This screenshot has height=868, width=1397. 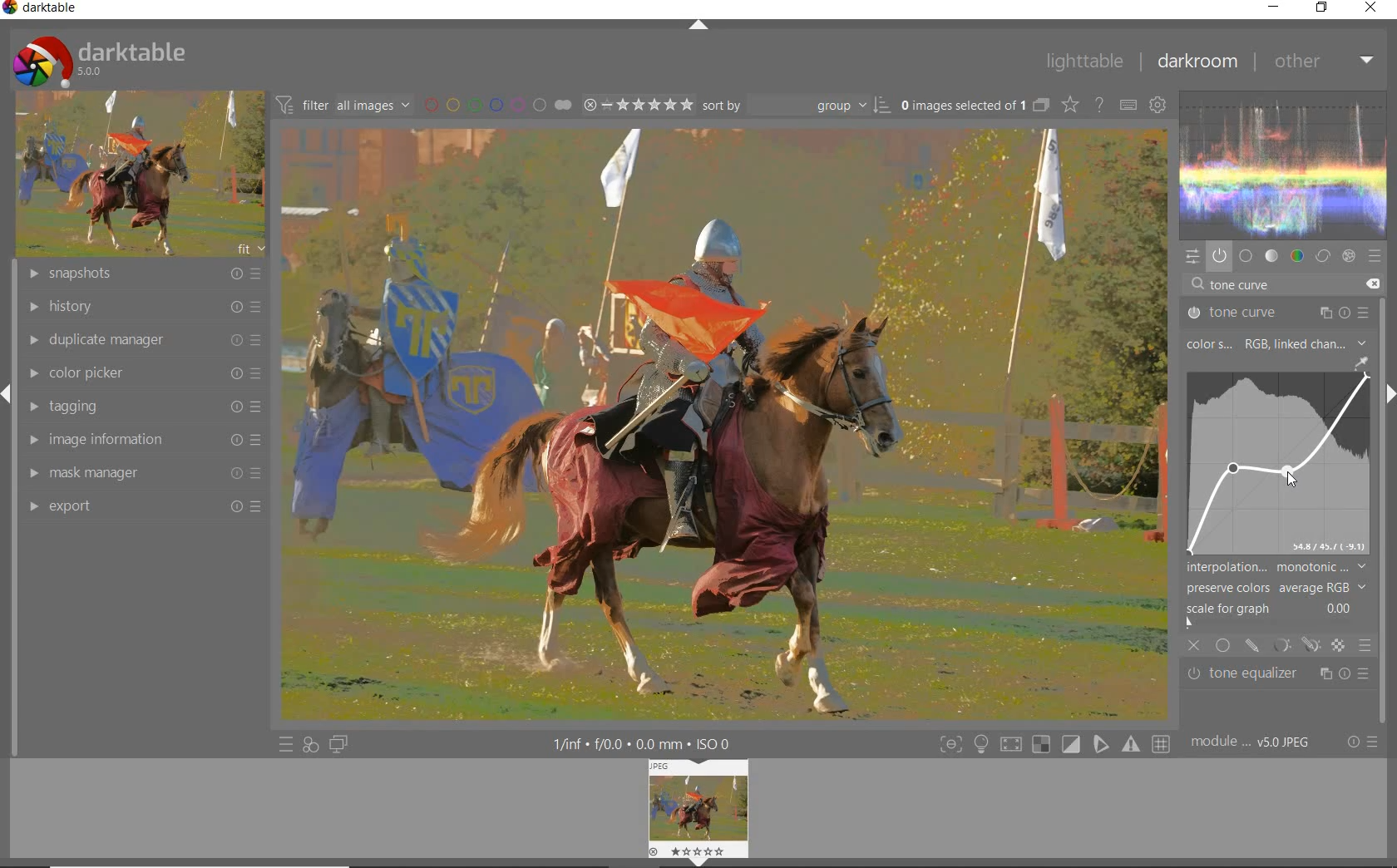 What do you see at coordinates (1224, 645) in the screenshot?
I see `uniformly` at bounding box center [1224, 645].